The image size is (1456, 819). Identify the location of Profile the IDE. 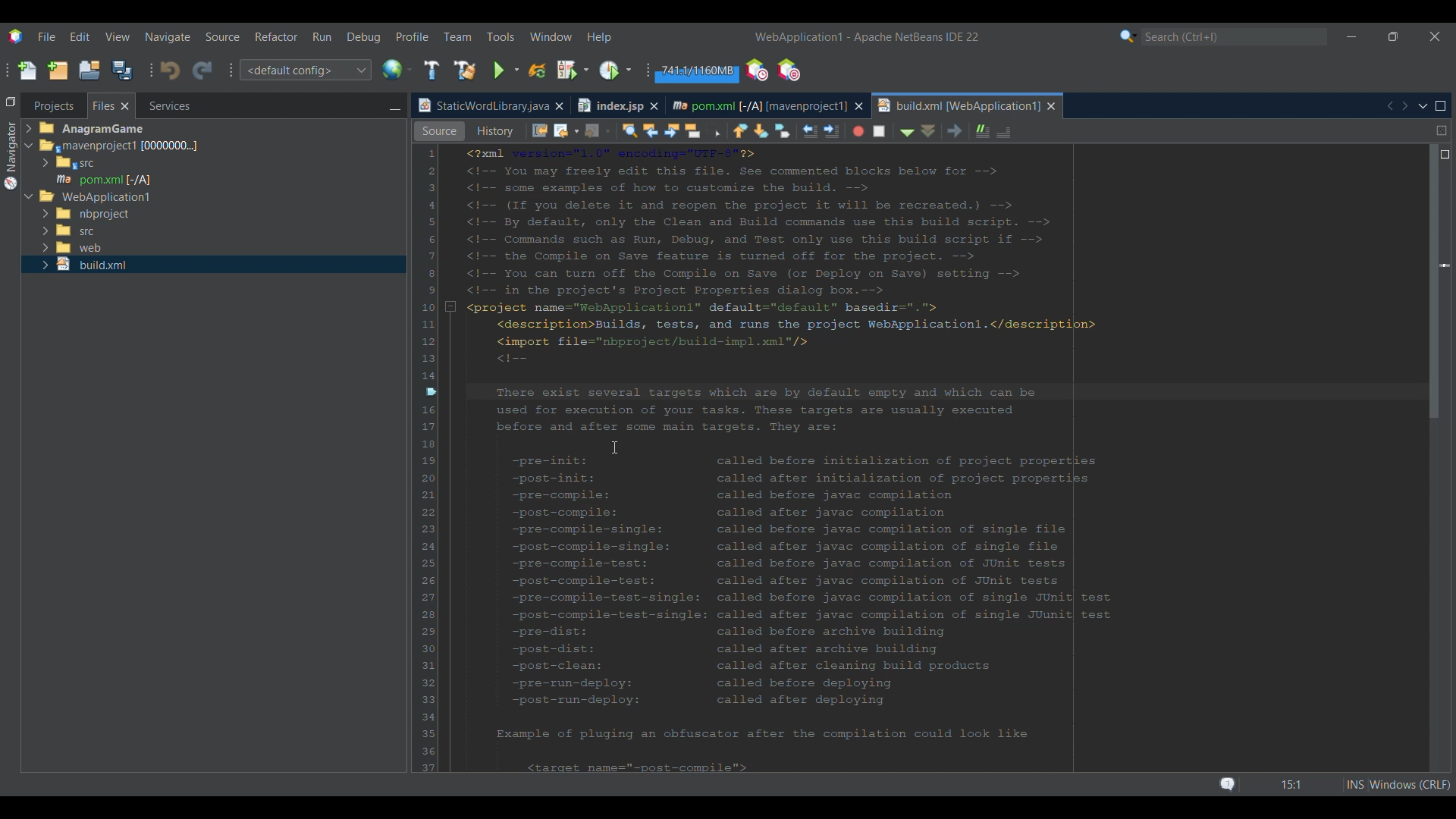
(758, 71).